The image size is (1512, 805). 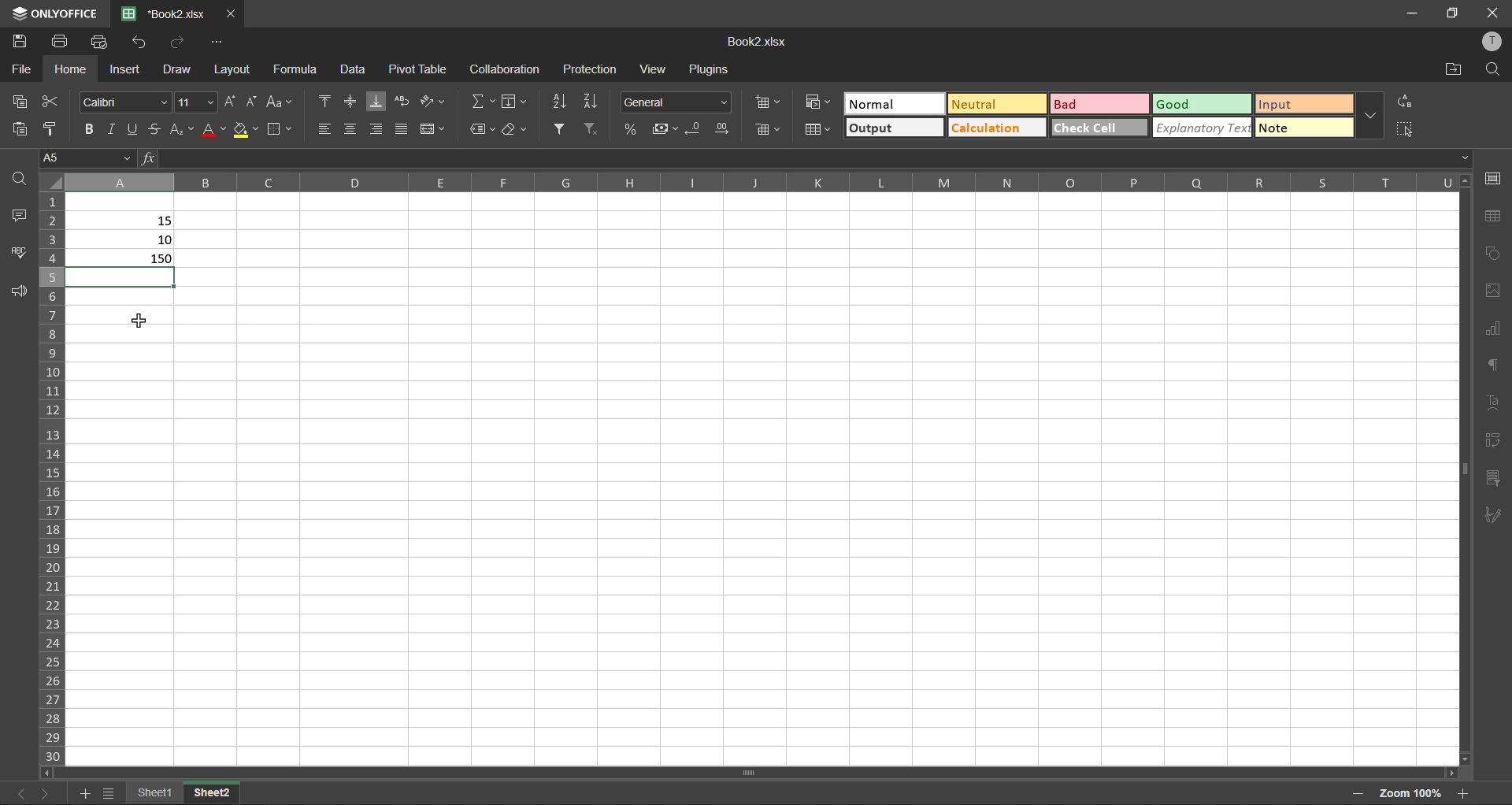 I want to click on strikethrough, so click(x=154, y=127).